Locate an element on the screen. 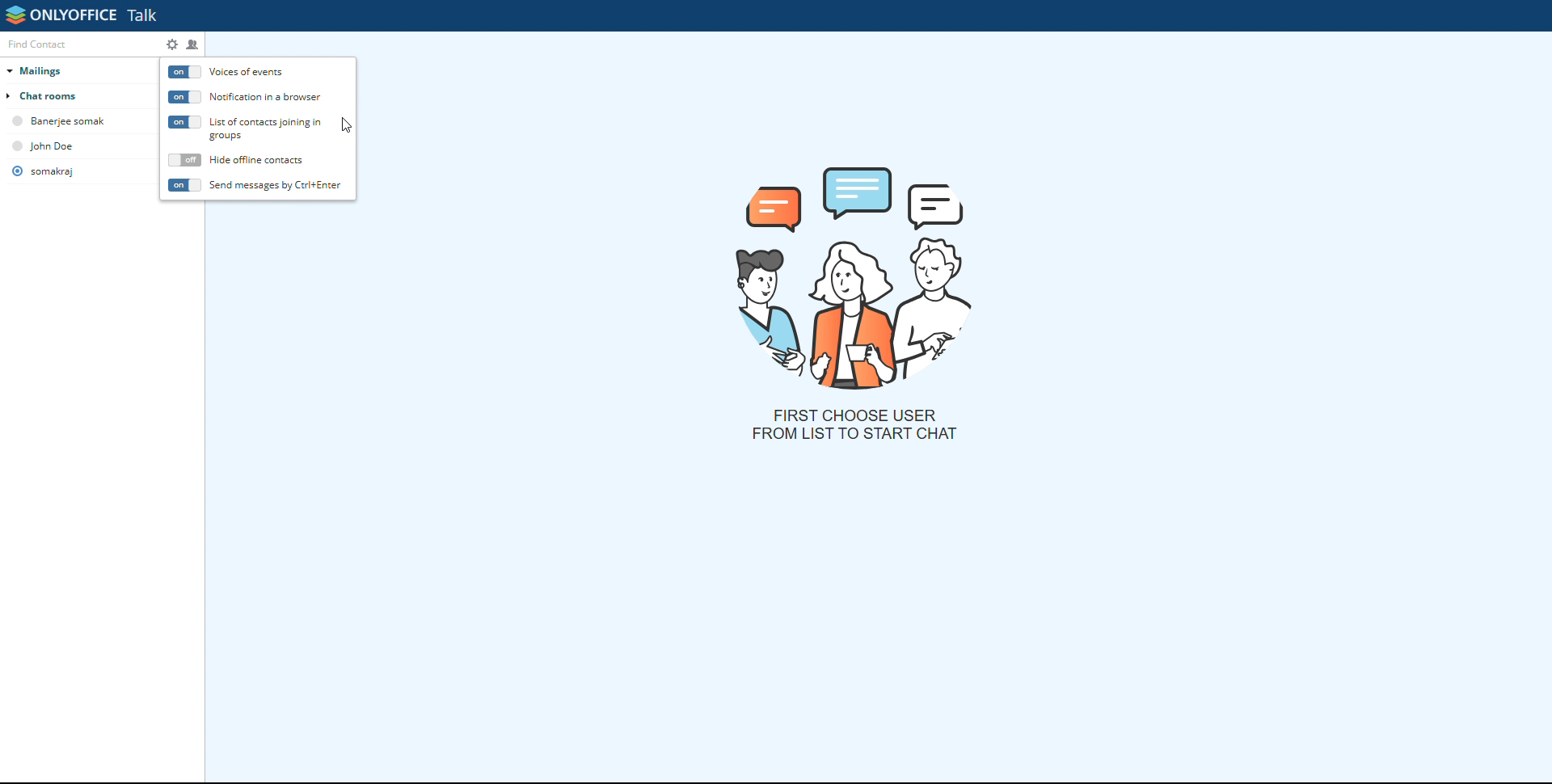 The image size is (1552, 784). voices of events is located at coordinates (259, 71).